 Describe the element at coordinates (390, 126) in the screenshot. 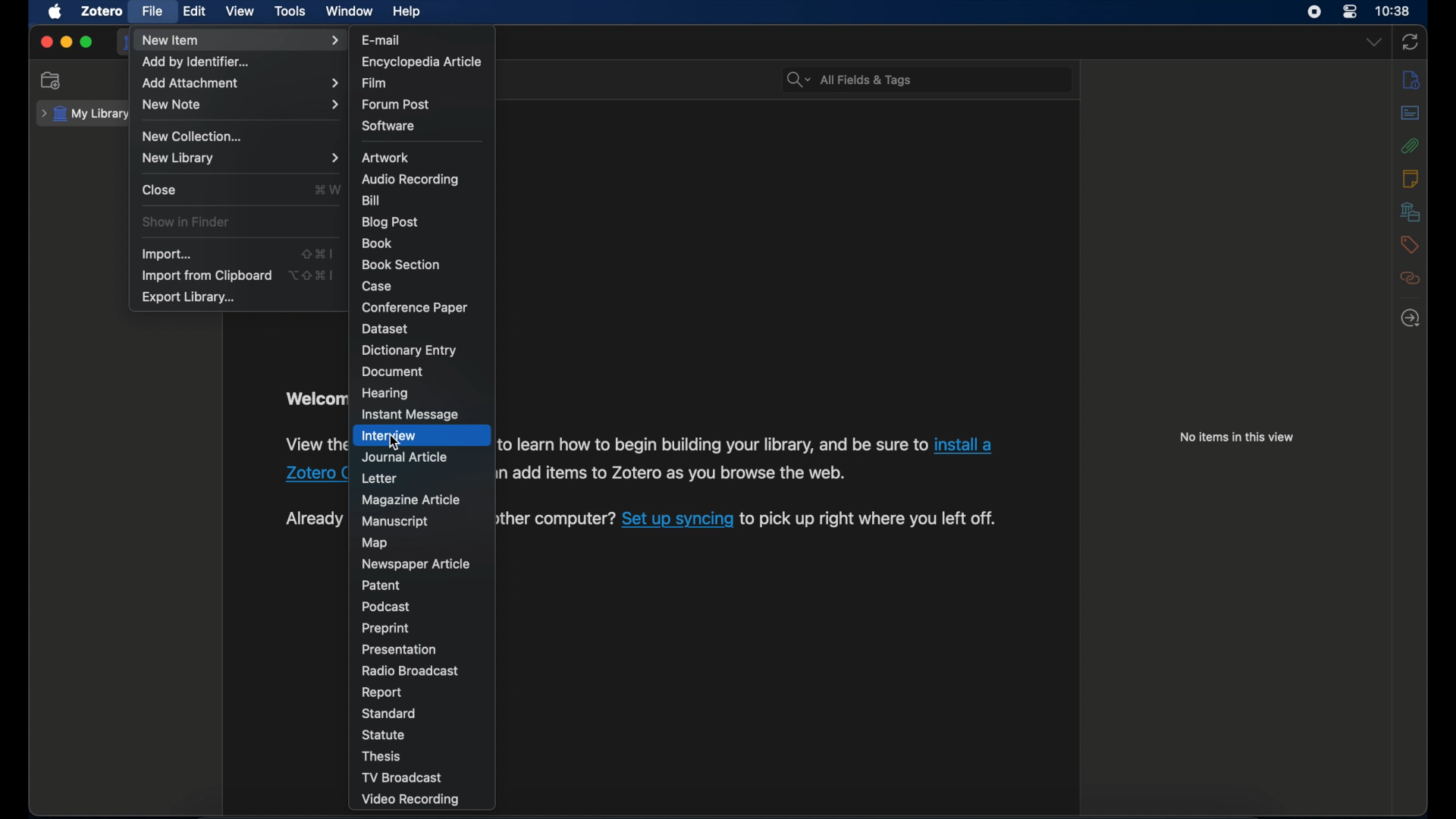

I see `software` at that location.